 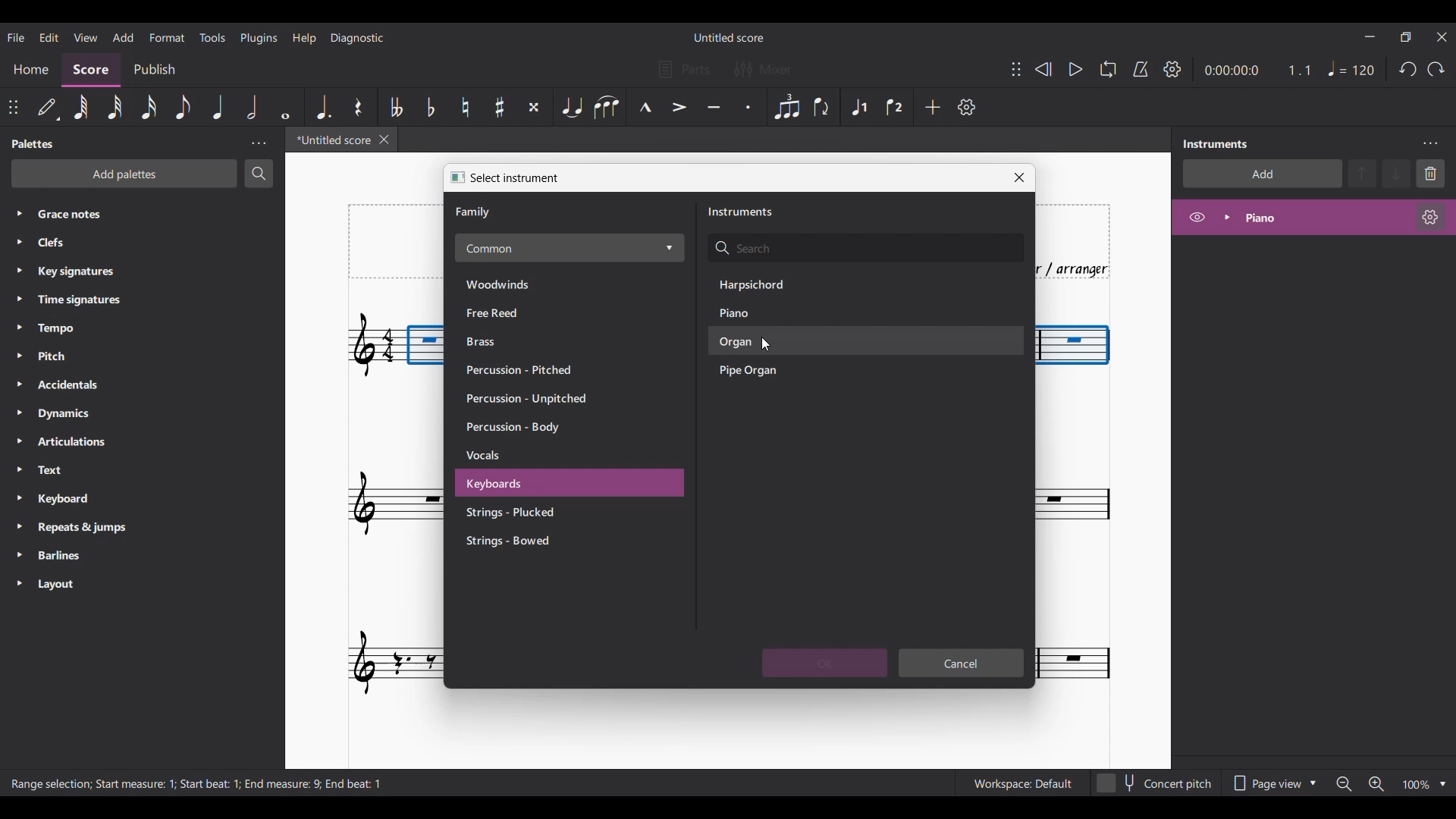 I want to click on Panel settings, so click(x=259, y=143).